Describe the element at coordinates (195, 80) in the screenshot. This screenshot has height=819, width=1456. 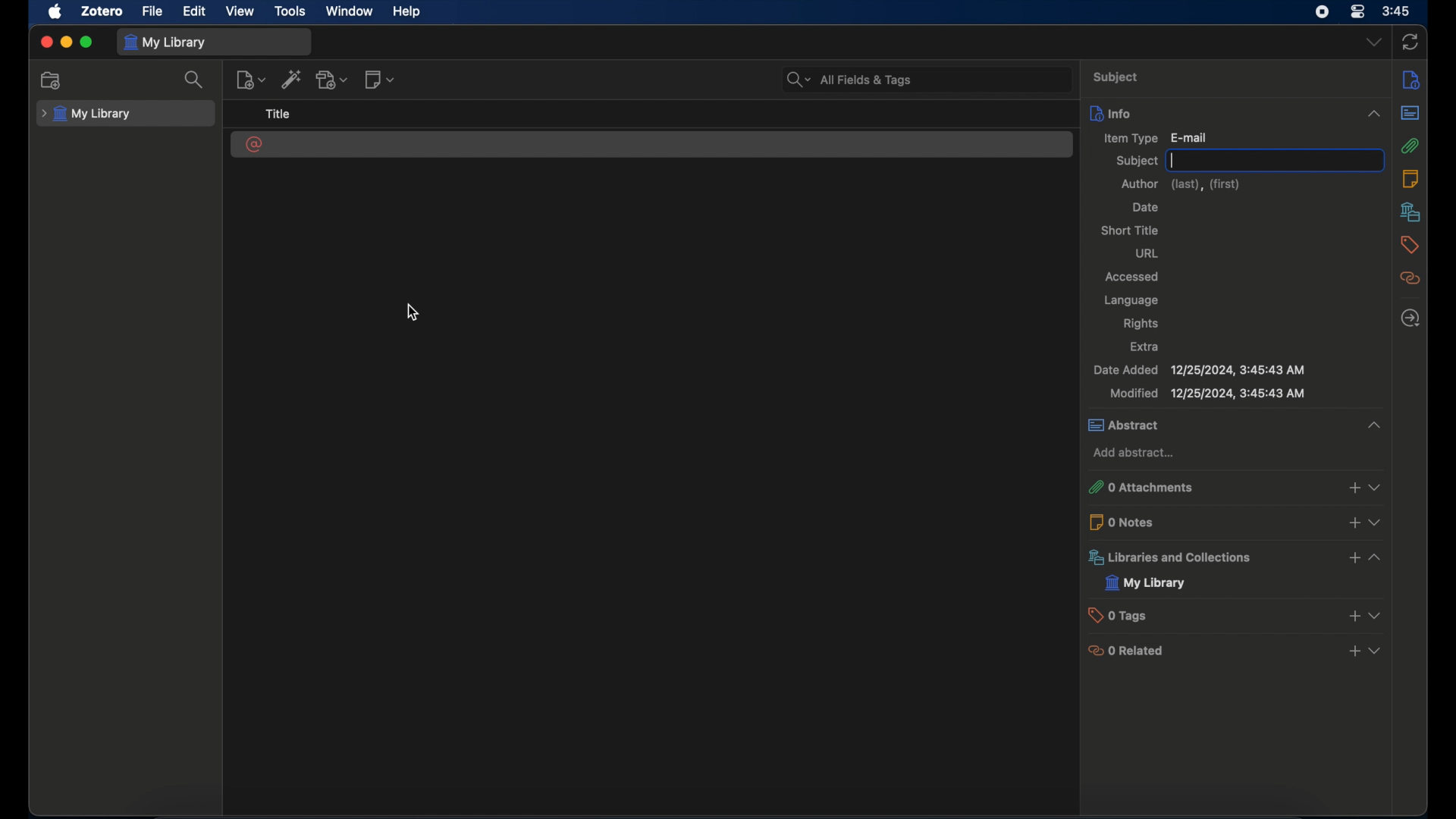
I see `search` at that location.